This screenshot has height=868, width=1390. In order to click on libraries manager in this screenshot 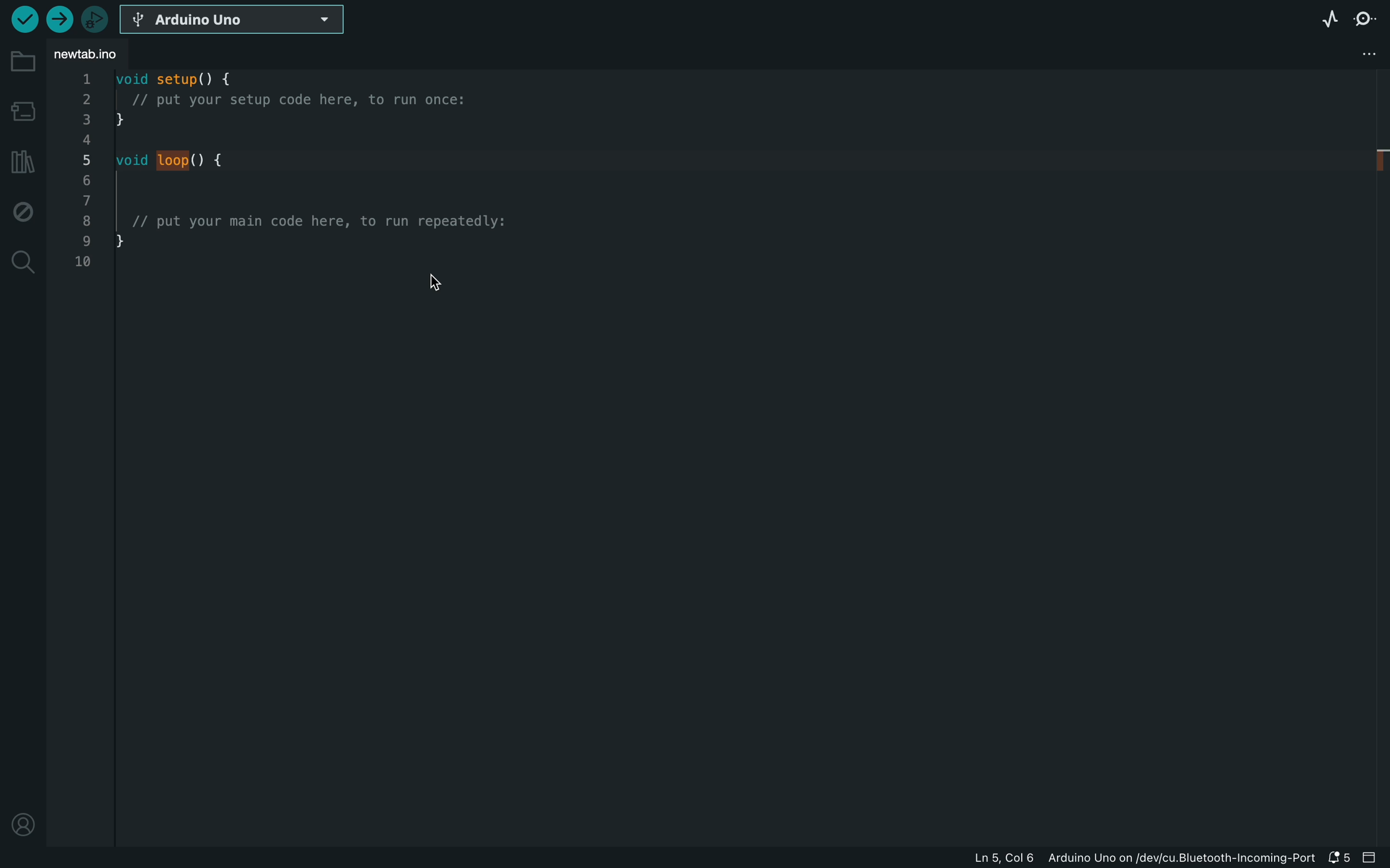, I will do `click(21, 162)`.